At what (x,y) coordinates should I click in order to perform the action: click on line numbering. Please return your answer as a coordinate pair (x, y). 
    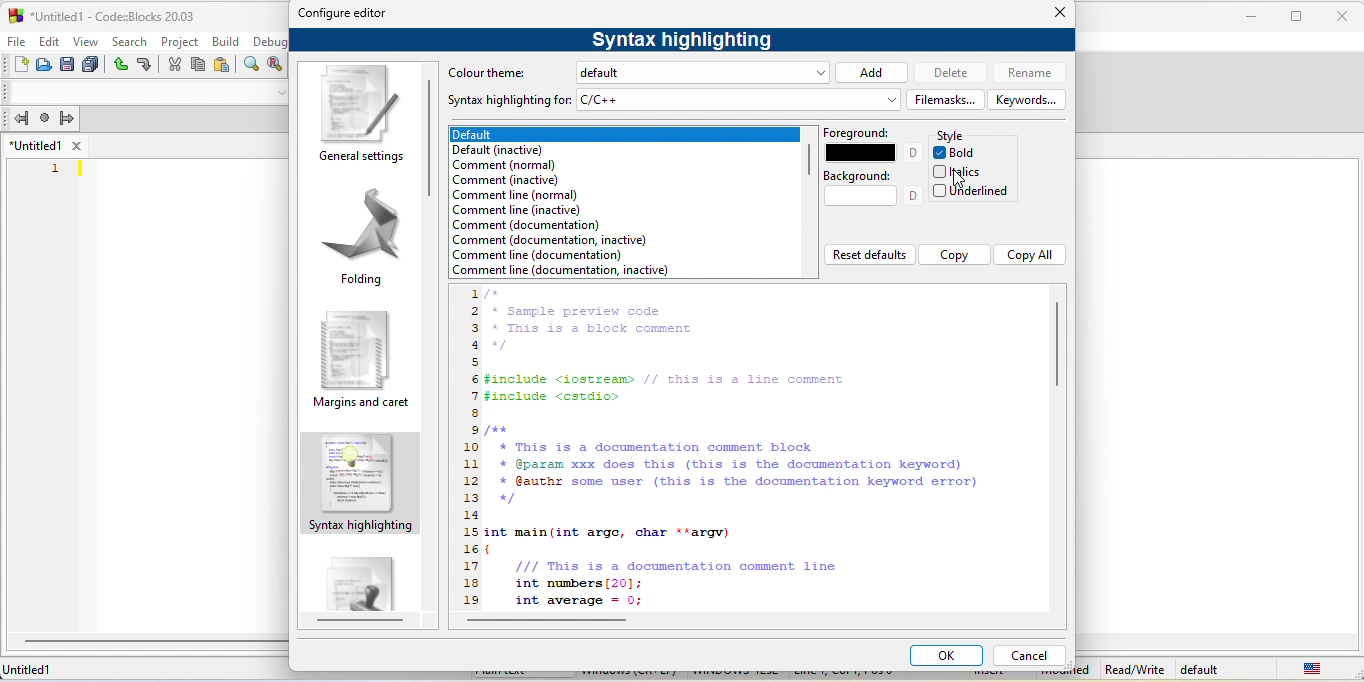
    Looking at the image, I should click on (470, 449).